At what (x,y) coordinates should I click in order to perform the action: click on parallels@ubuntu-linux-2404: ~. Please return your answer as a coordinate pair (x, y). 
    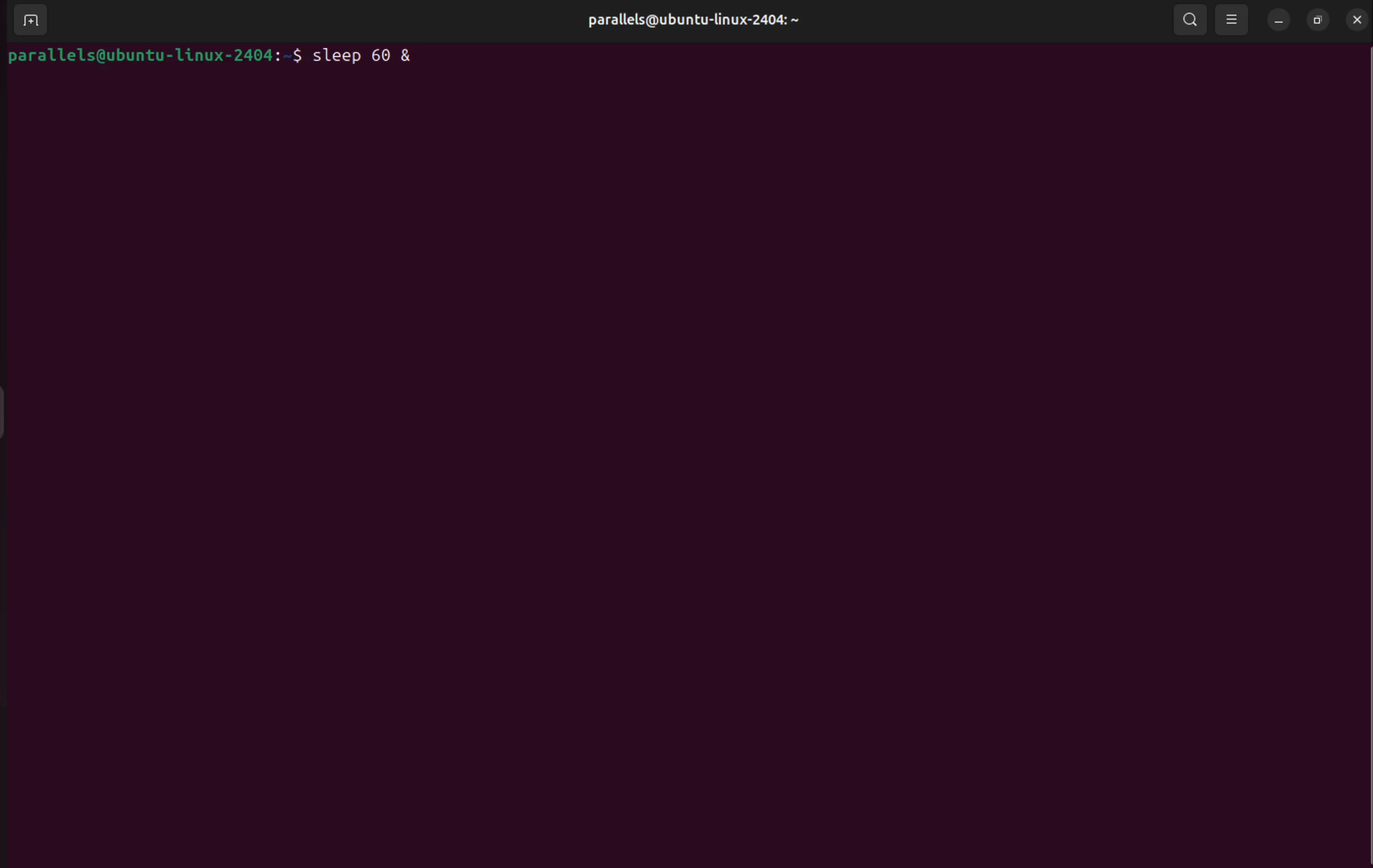
    Looking at the image, I should click on (689, 21).